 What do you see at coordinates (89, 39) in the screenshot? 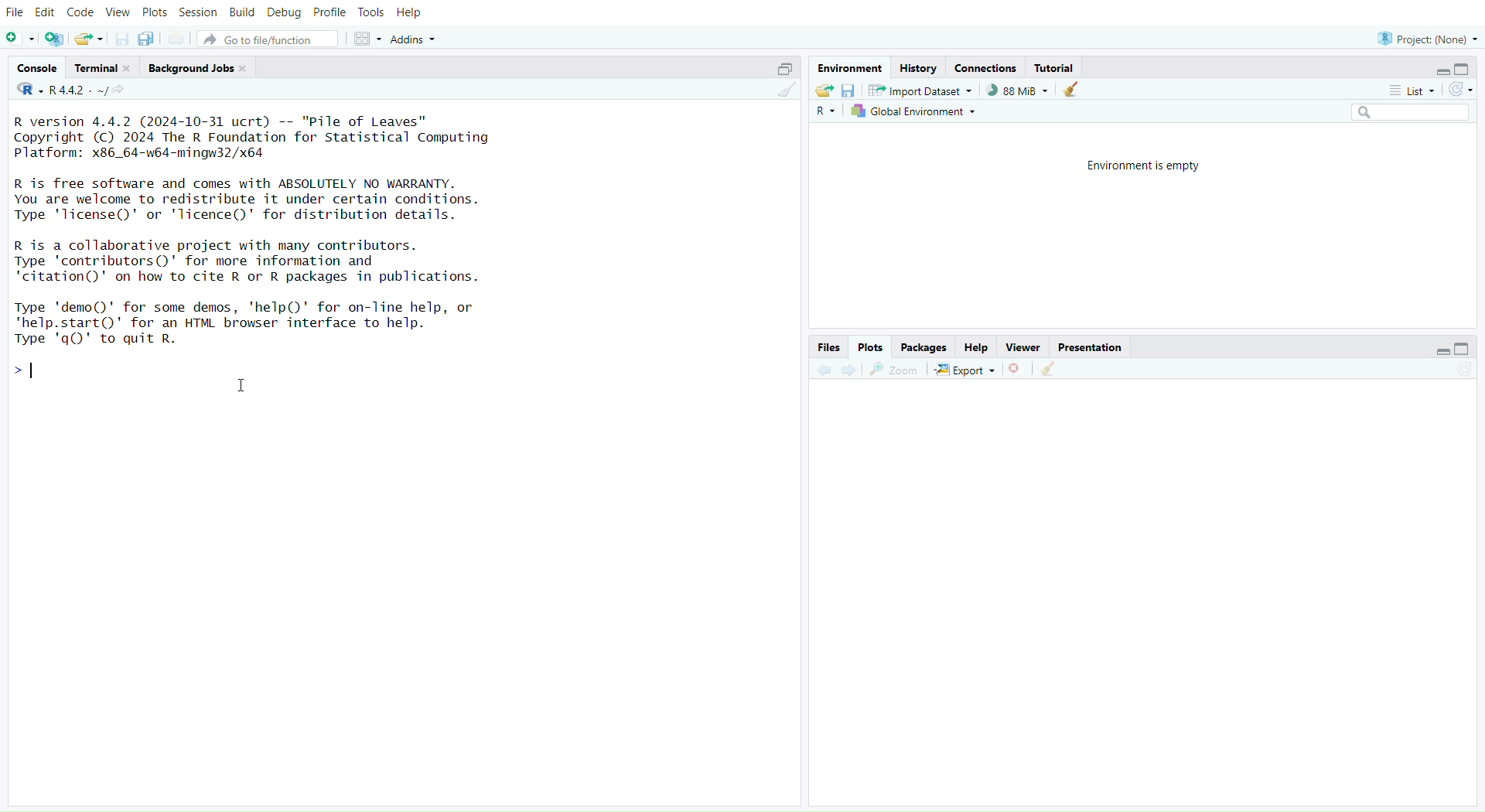
I see `open an existing file` at bounding box center [89, 39].